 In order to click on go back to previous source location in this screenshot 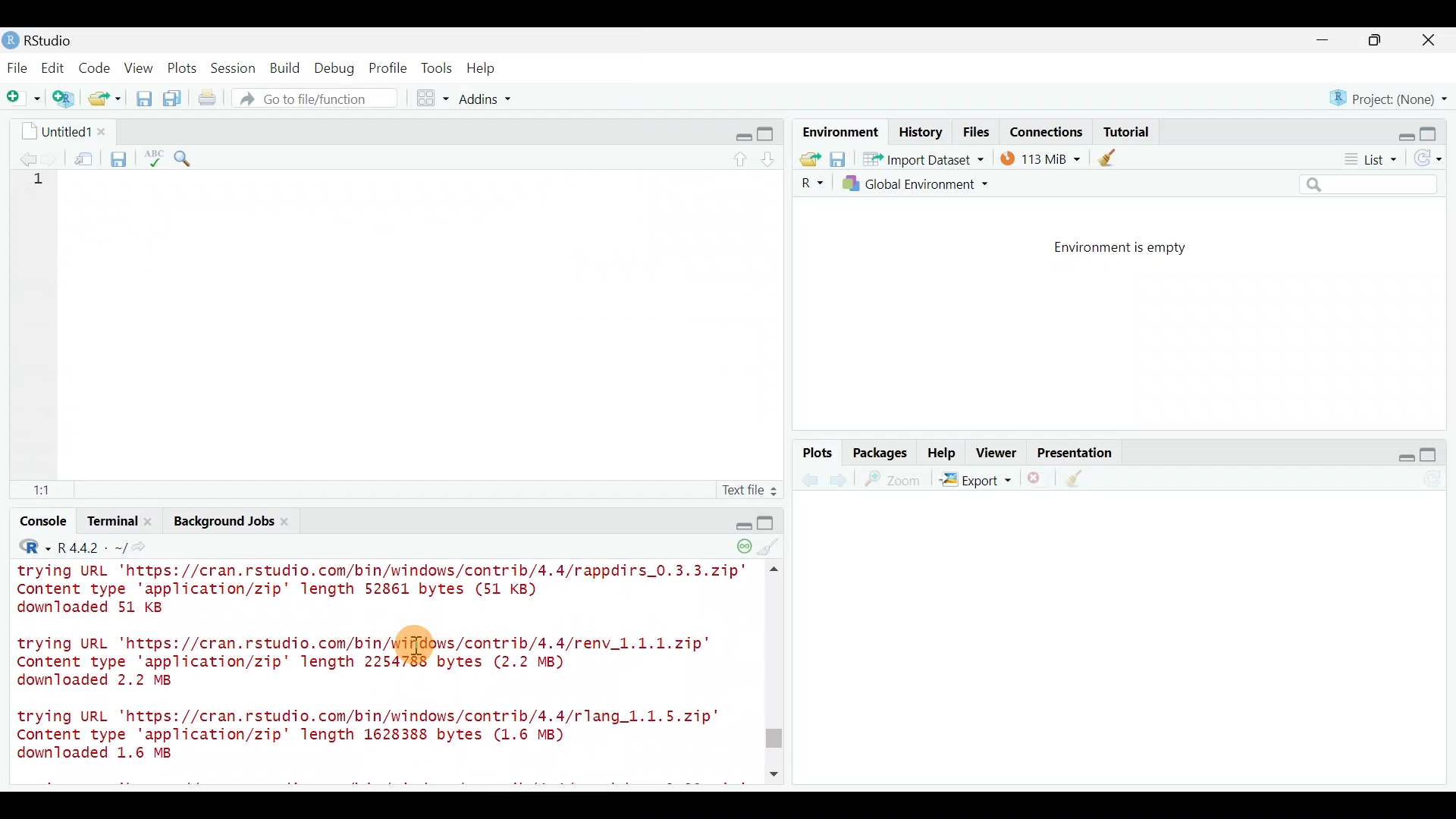, I will do `click(19, 157)`.